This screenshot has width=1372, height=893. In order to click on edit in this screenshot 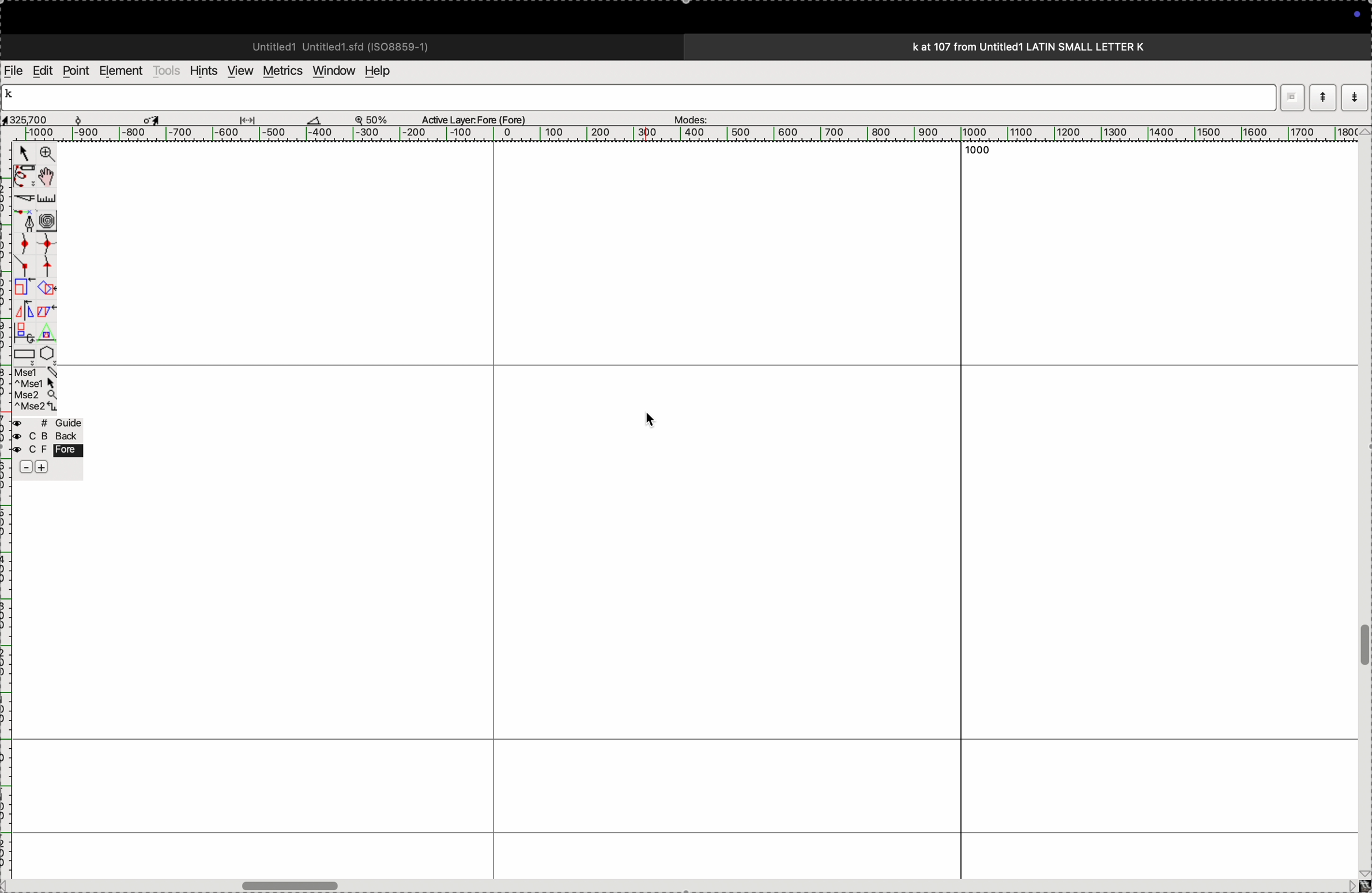, I will do `click(42, 70)`.